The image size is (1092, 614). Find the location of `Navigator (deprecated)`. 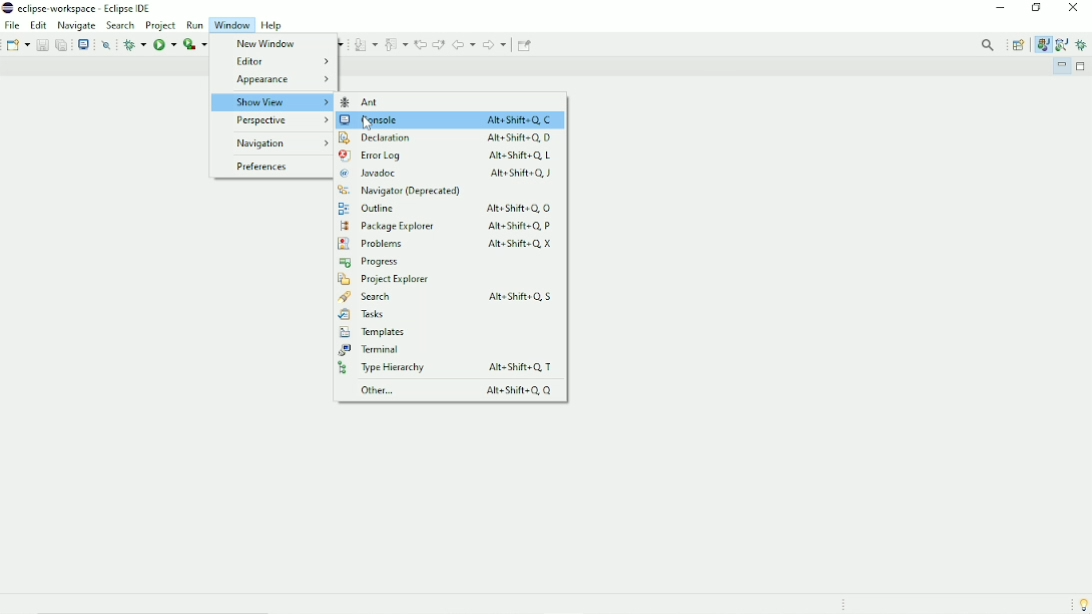

Navigator (deprecated) is located at coordinates (400, 191).